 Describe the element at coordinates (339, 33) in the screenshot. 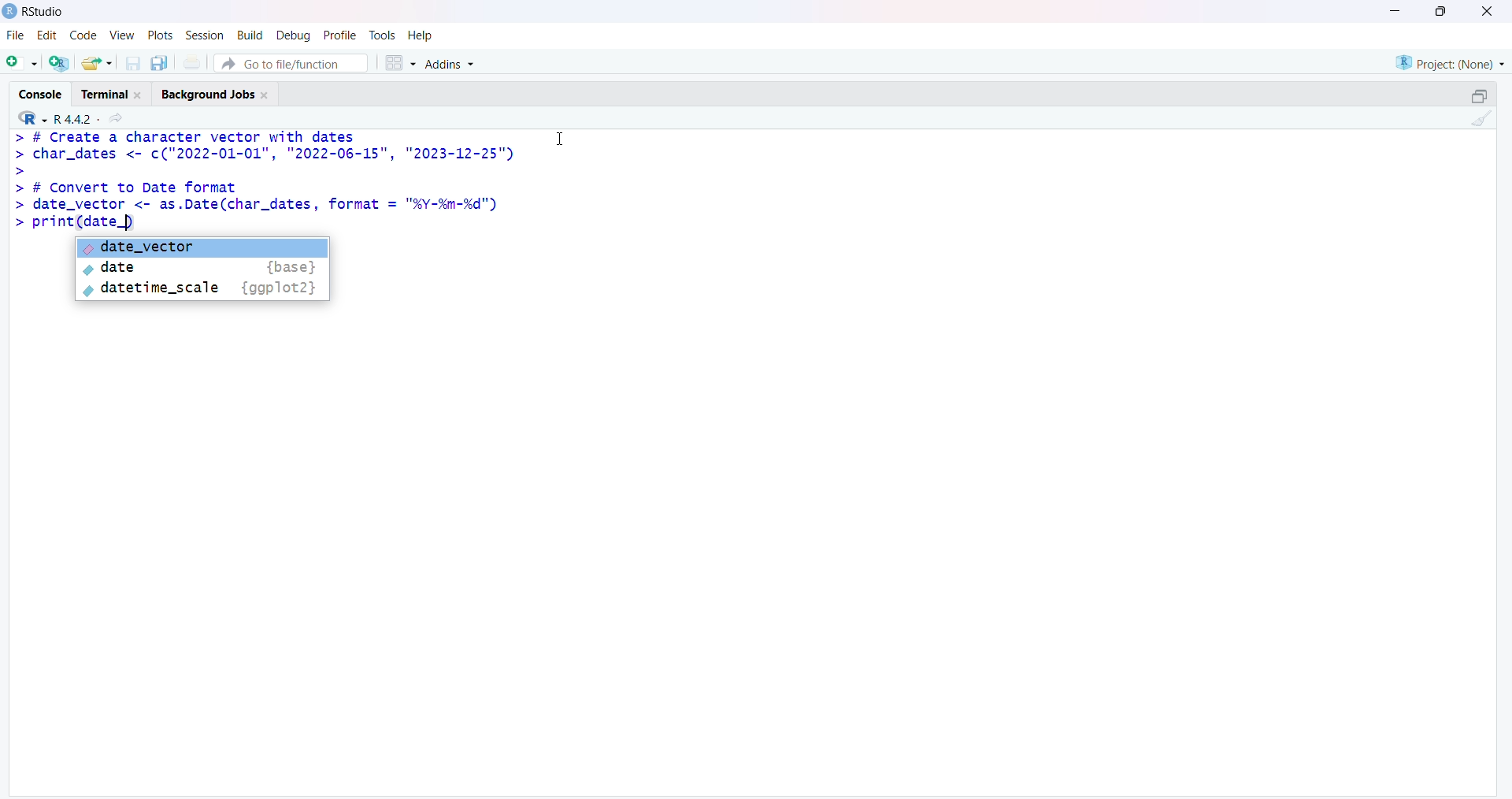

I see `Profile` at that location.